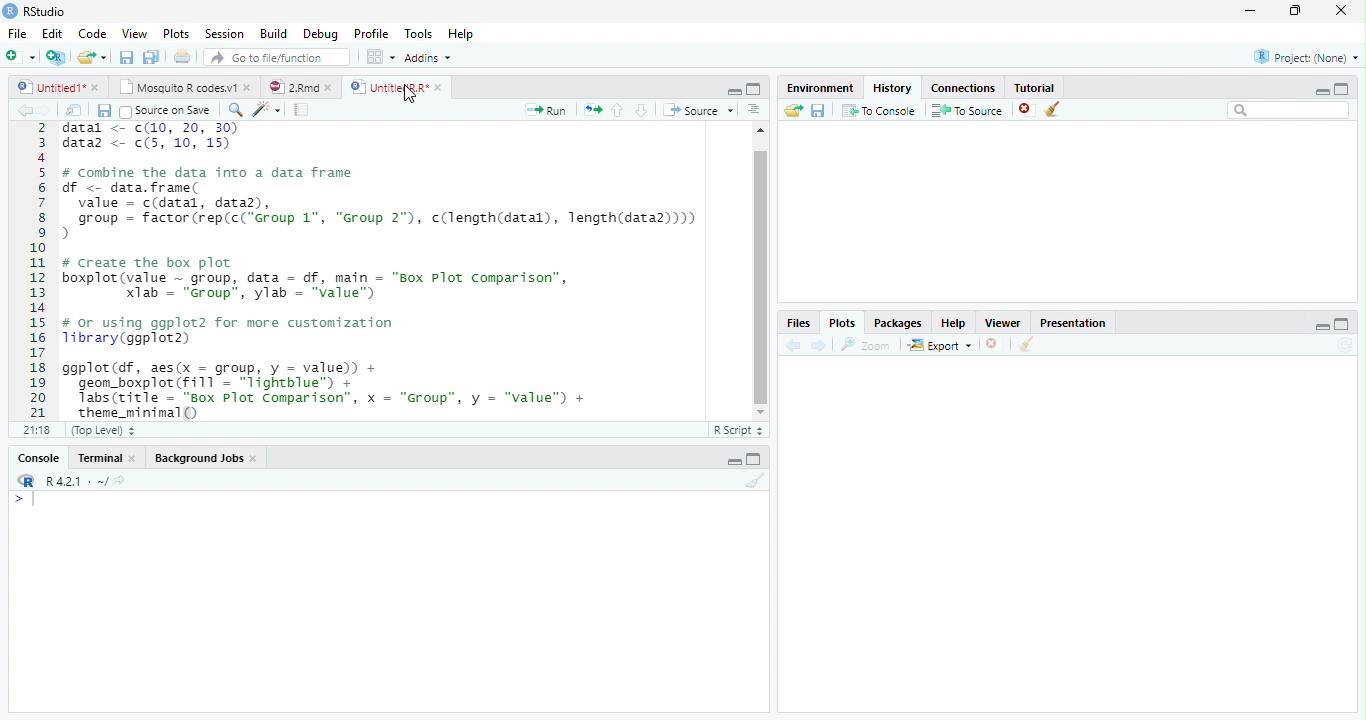 The width and height of the screenshot is (1366, 720). I want to click on Next plot, so click(819, 345).